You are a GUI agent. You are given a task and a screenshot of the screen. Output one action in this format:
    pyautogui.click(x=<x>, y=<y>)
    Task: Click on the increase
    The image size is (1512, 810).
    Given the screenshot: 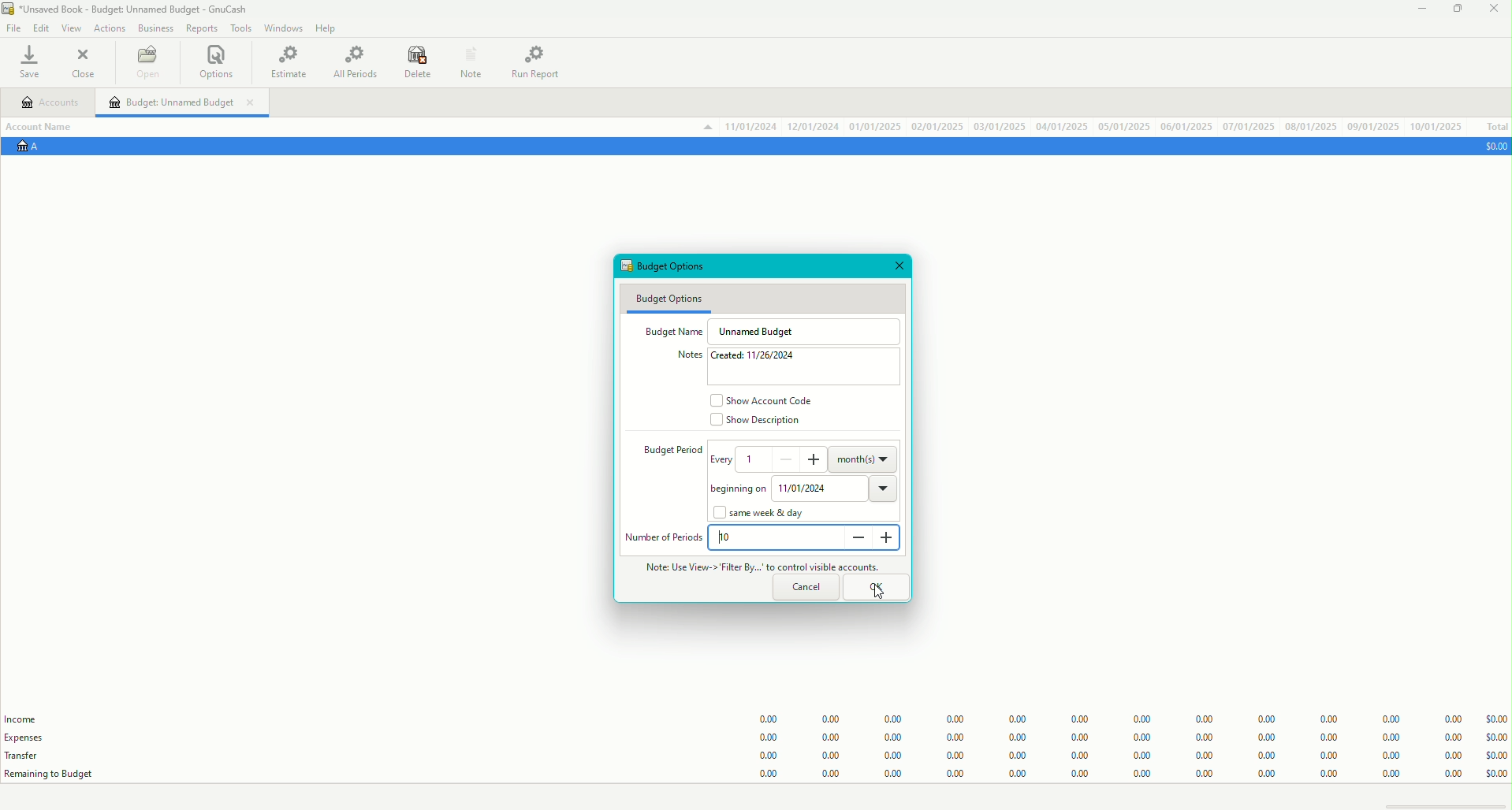 What is the action you would take?
    pyautogui.click(x=816, y=460)
    